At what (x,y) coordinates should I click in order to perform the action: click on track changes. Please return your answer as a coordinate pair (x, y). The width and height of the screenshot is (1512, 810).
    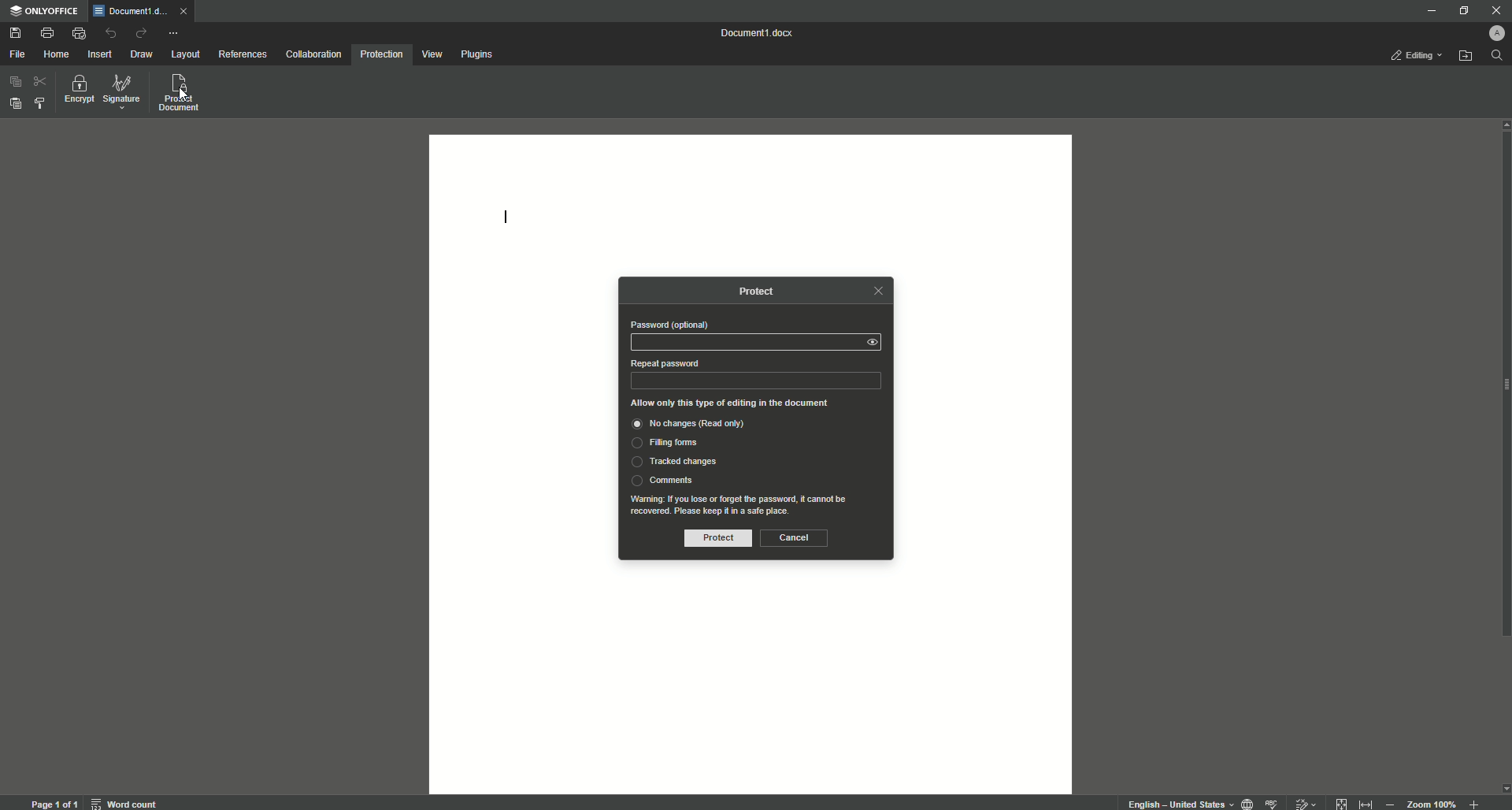
    Looking at the image, I should click on (1303, 801).